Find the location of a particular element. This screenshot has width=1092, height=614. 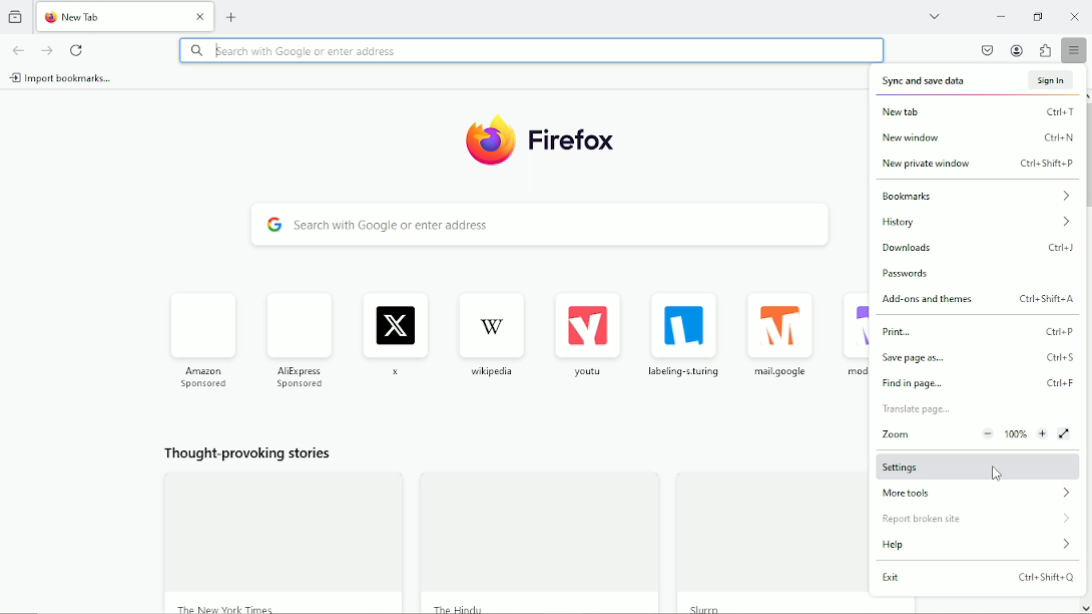

Amazon is located at coordinates (203, 339).